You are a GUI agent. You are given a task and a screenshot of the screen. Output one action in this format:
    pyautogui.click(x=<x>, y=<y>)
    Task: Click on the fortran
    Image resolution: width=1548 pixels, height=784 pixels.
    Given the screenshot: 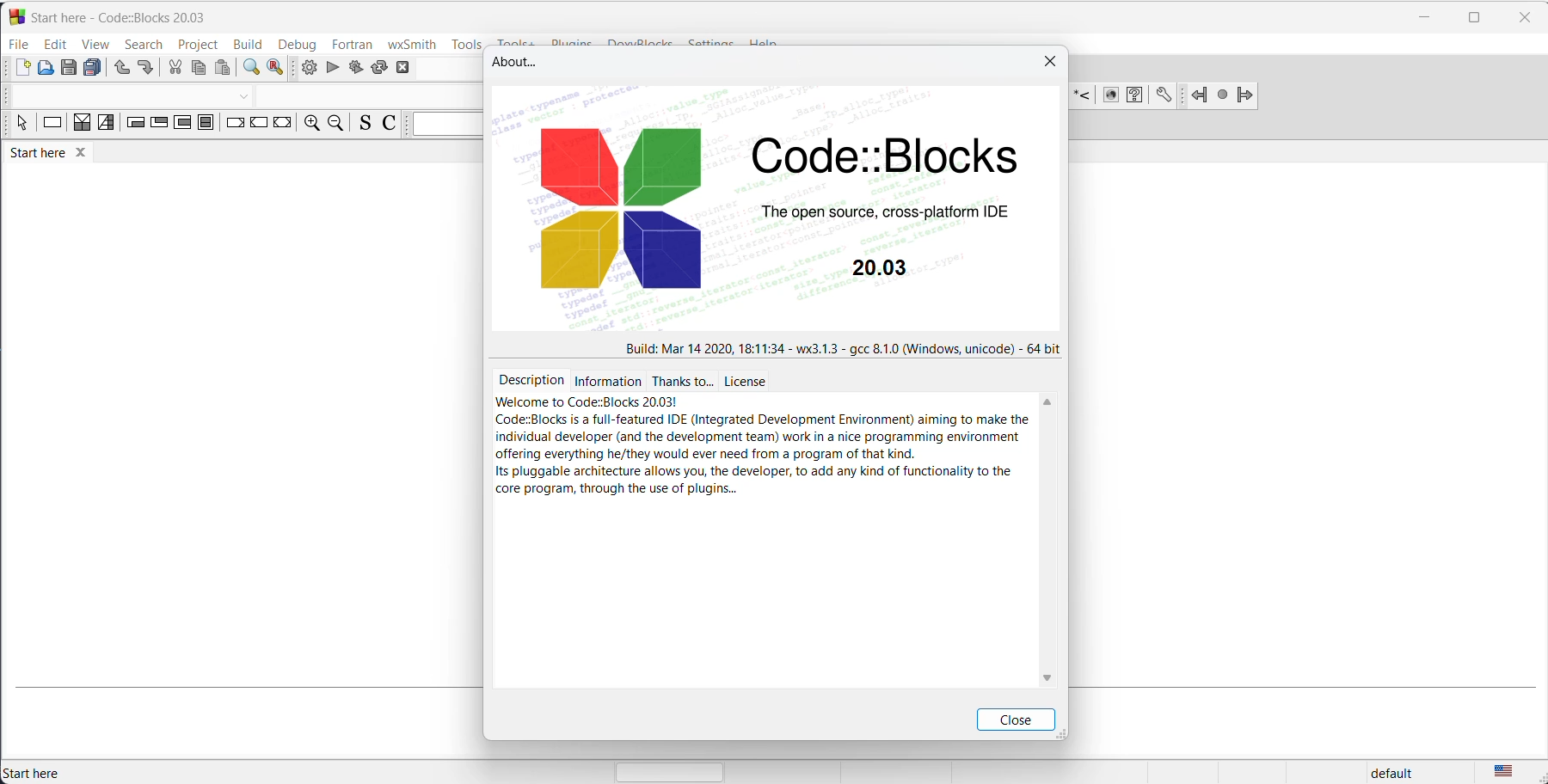 What is the action you would take?
    pyautogui.click(x=351, y=44)
    